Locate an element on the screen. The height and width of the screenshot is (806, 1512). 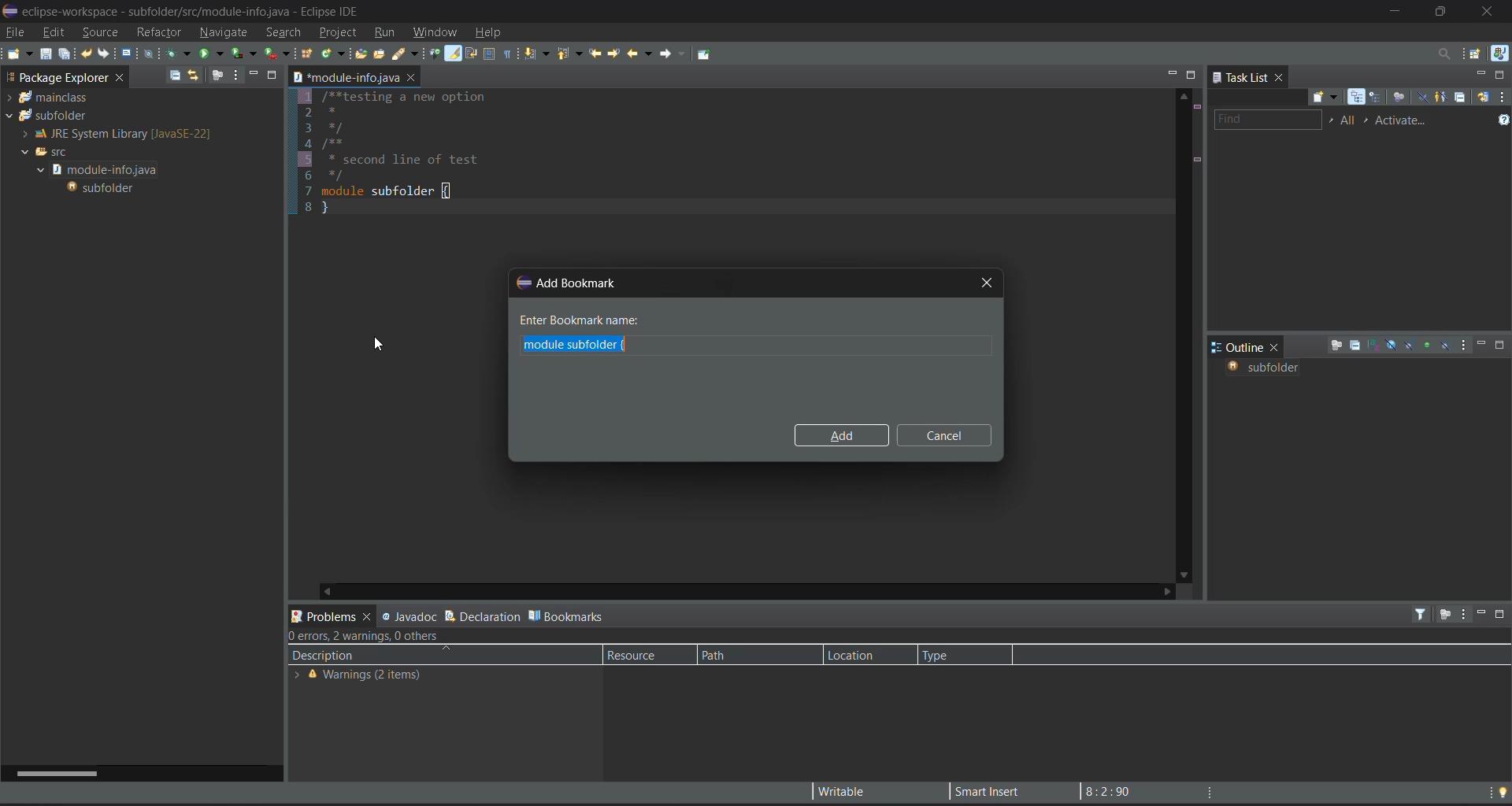
next edit location is located at coordinates (613, 52).